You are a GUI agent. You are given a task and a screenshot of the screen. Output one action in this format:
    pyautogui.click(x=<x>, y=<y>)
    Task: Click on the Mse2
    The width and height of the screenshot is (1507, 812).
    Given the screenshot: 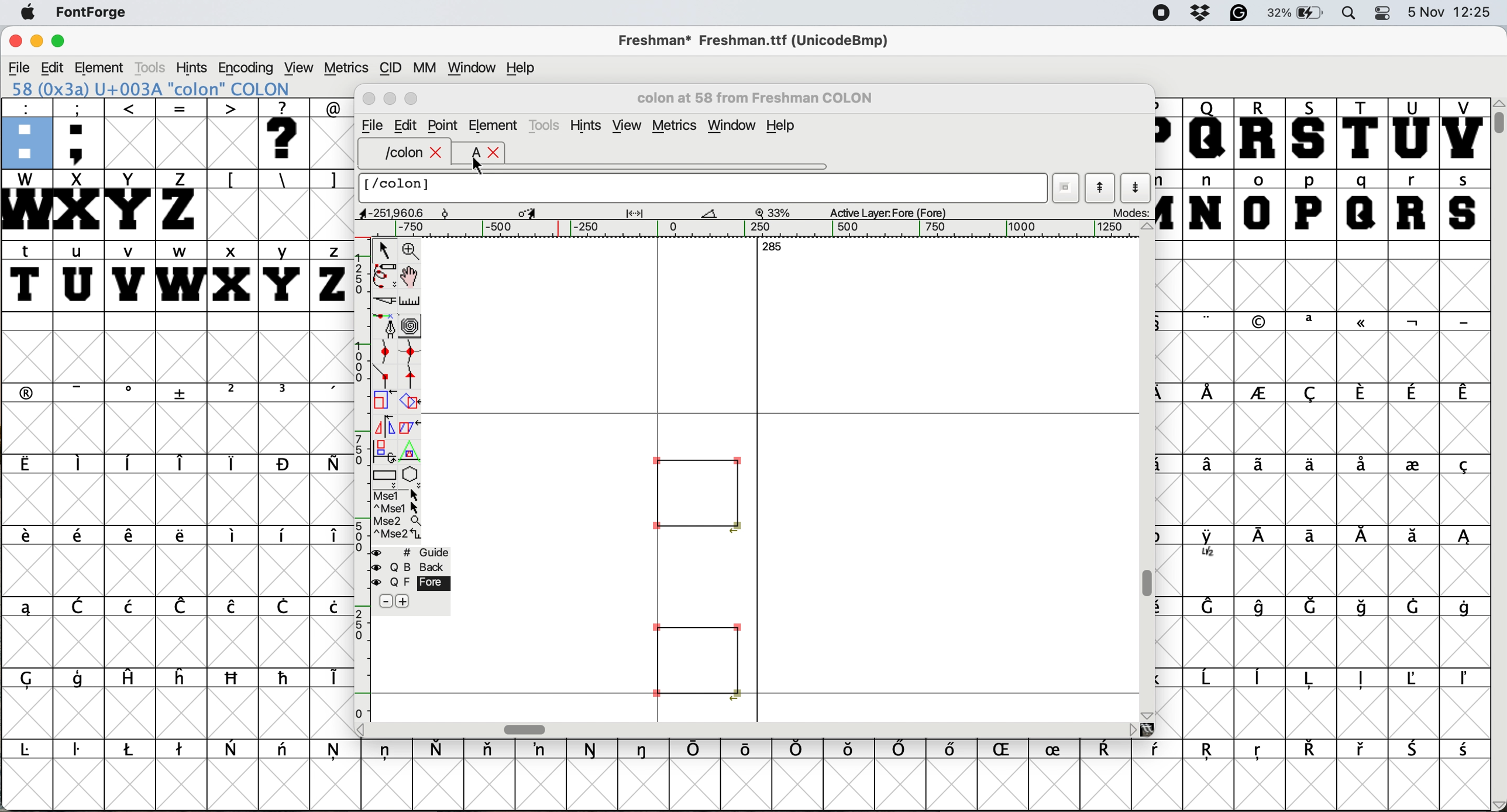 What is the action you would take?
    pyautogui.click(x=397, y=519)
    